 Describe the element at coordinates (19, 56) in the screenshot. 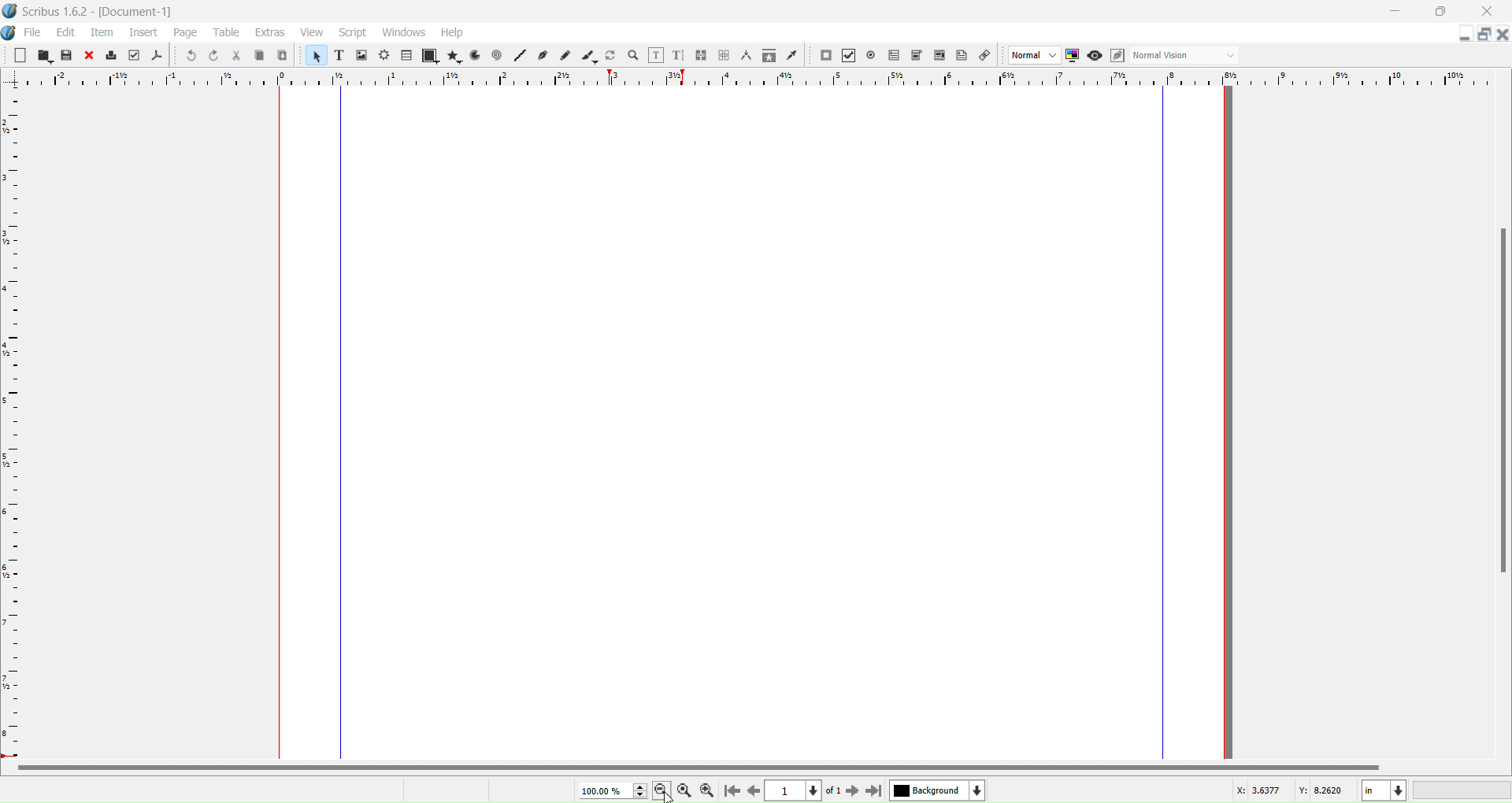

I see `New` at that location.